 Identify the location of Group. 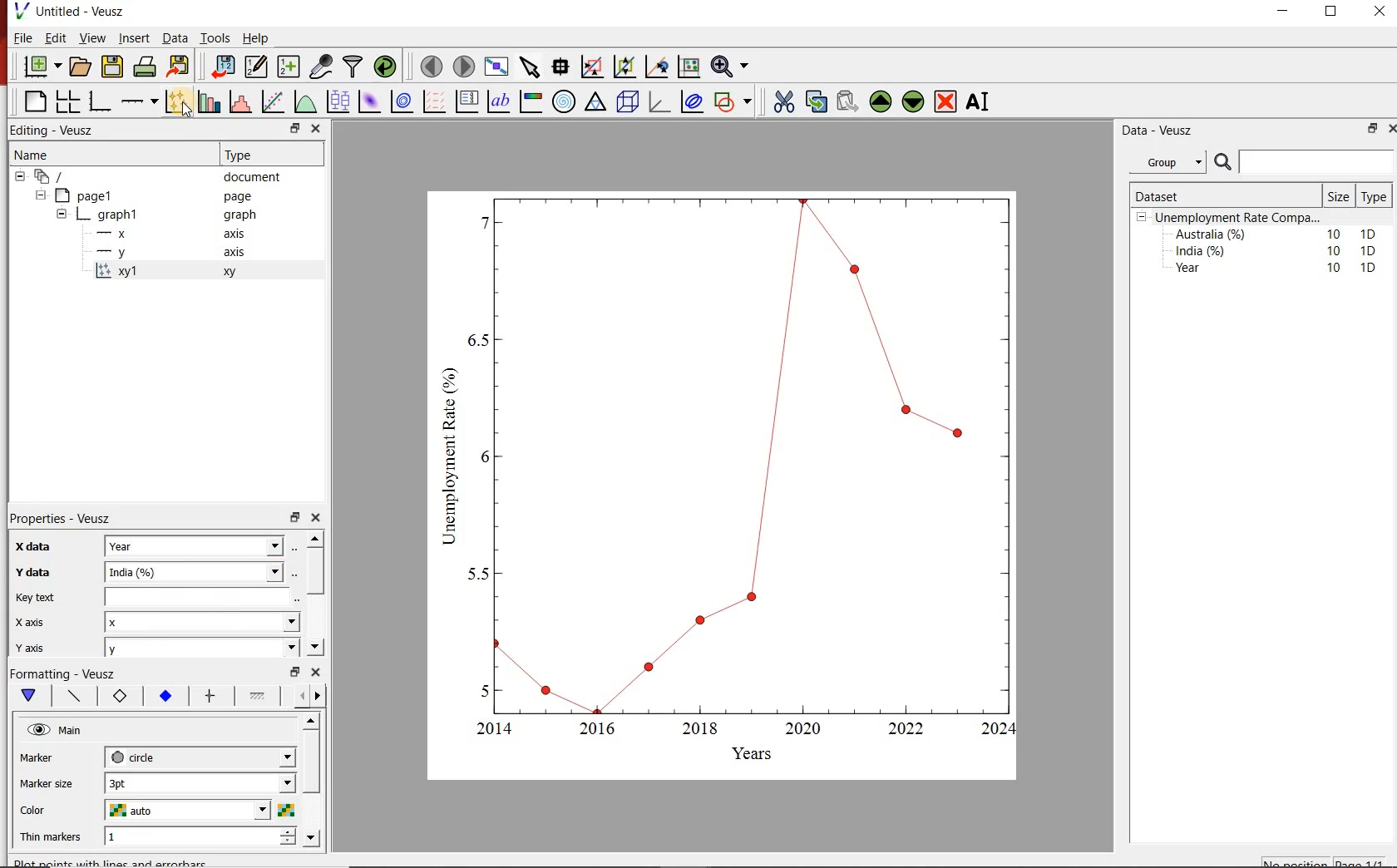
(1170, 162).